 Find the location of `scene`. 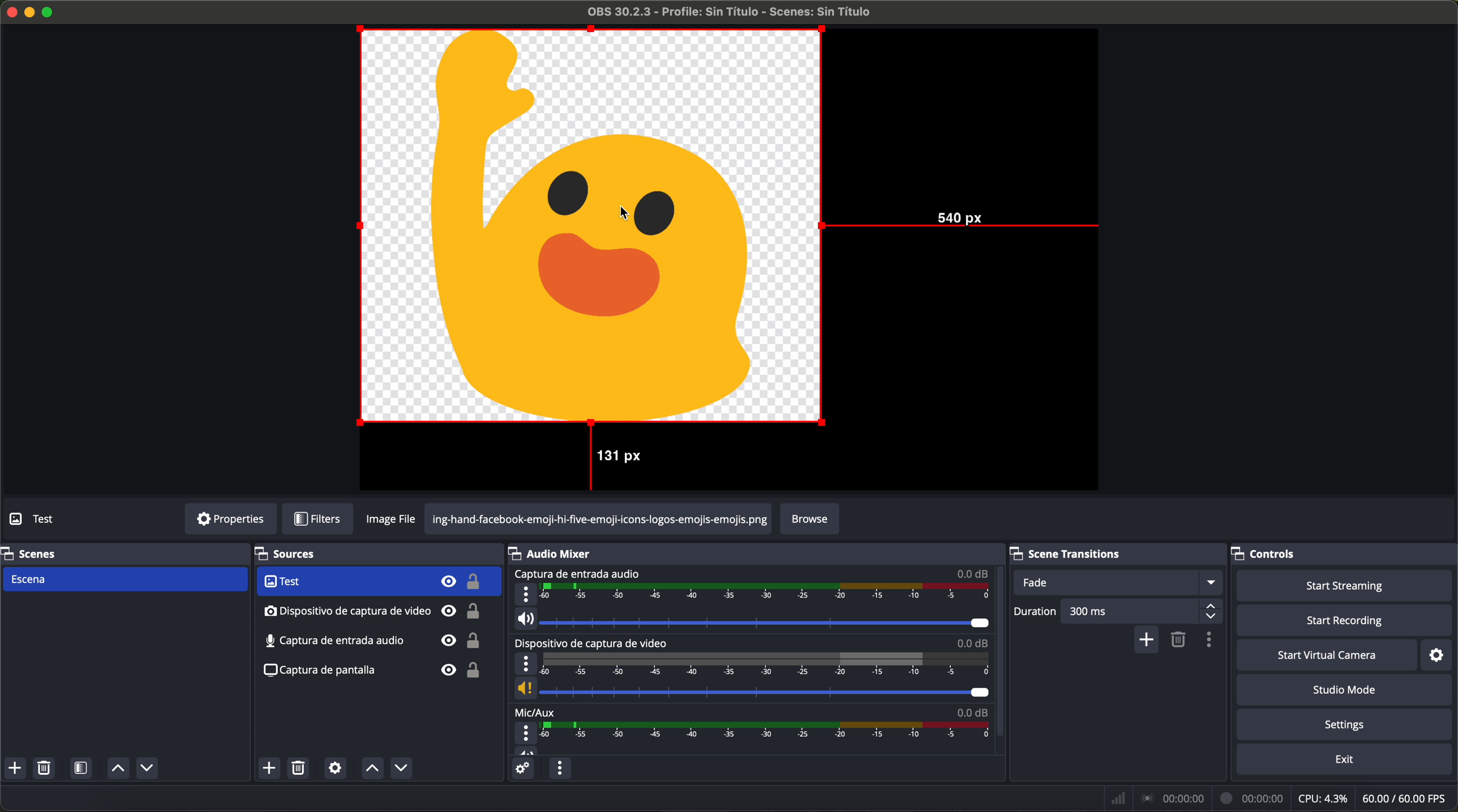

scene is located at coordinates (124, 580).